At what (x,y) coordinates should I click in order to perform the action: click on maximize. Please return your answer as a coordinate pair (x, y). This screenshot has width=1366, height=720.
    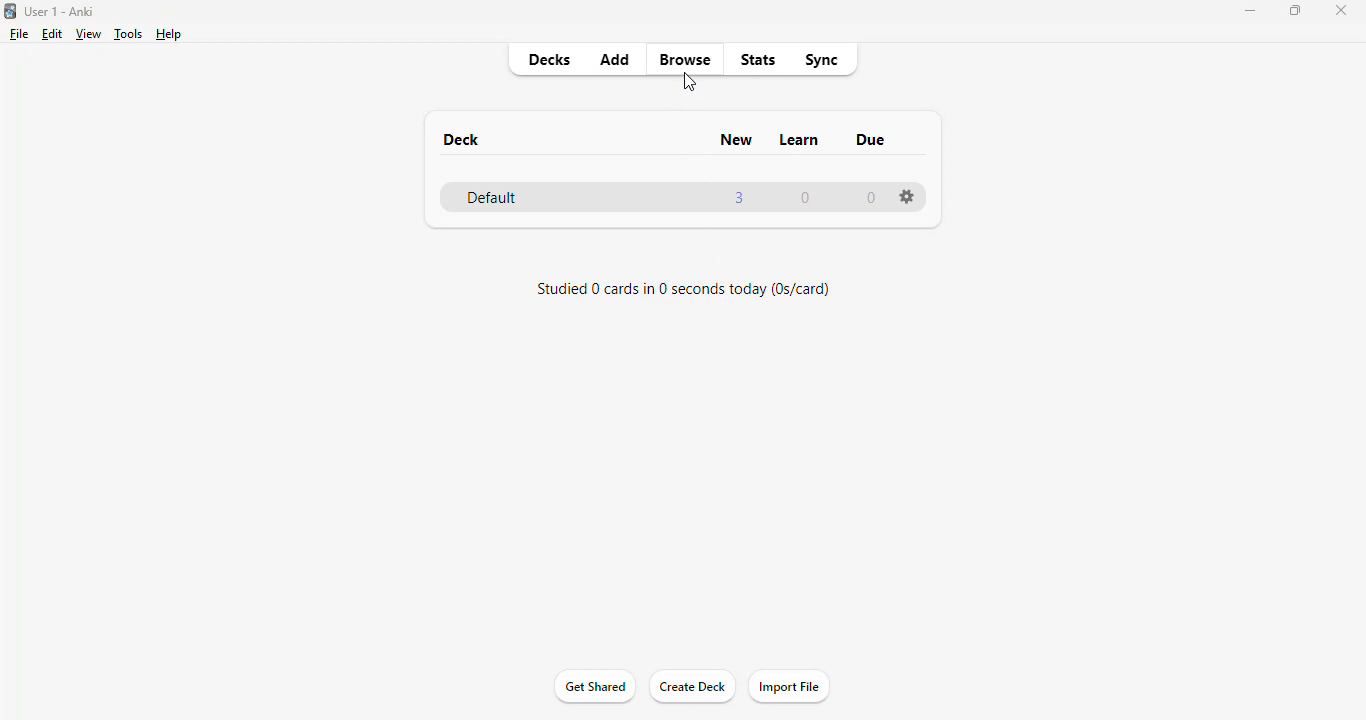
    Looking at the image, I should click on (1296, 10).